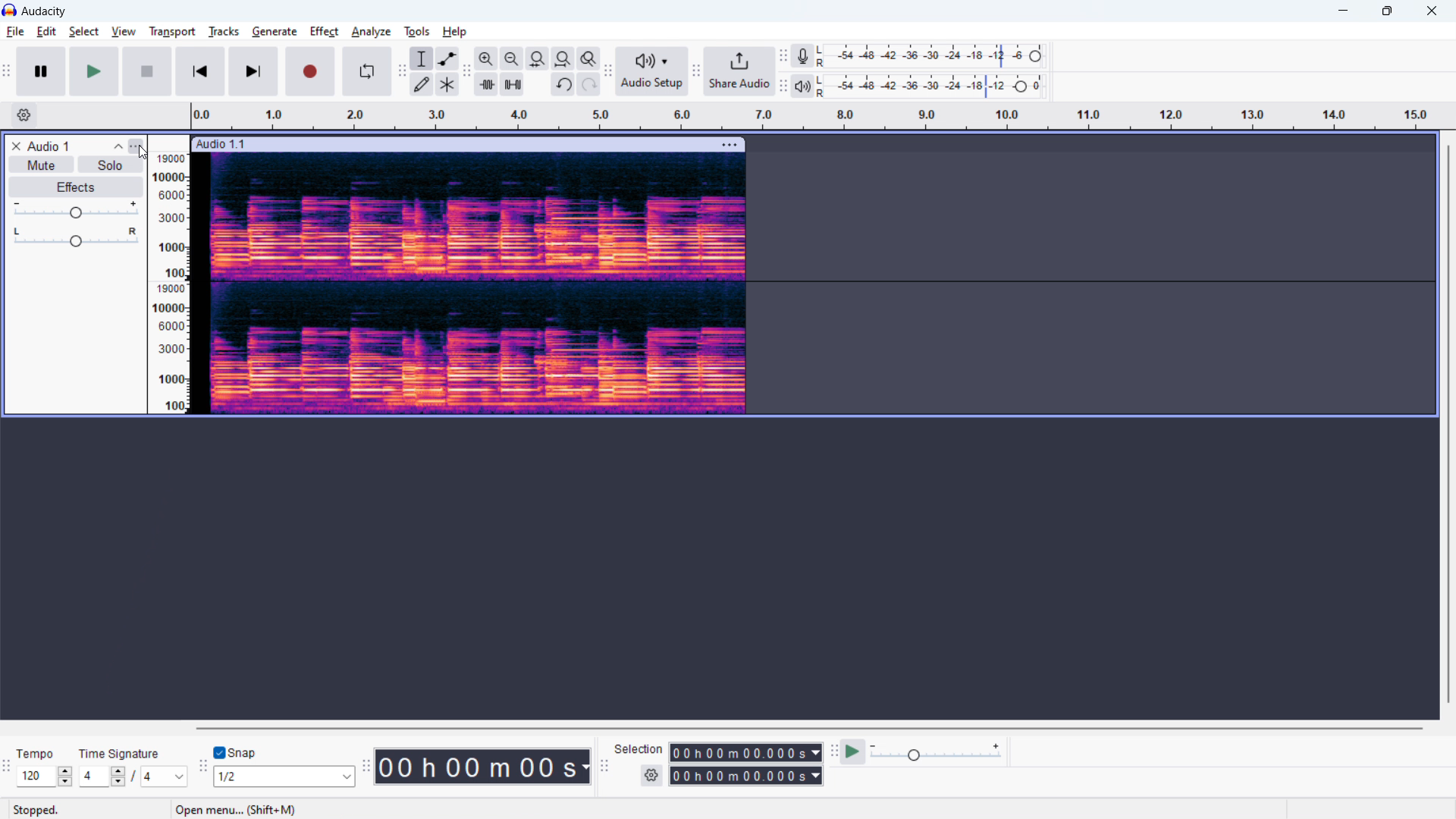 This screenshot has height=819, width=1456. I want to click on selection tool, so click(421, 58).